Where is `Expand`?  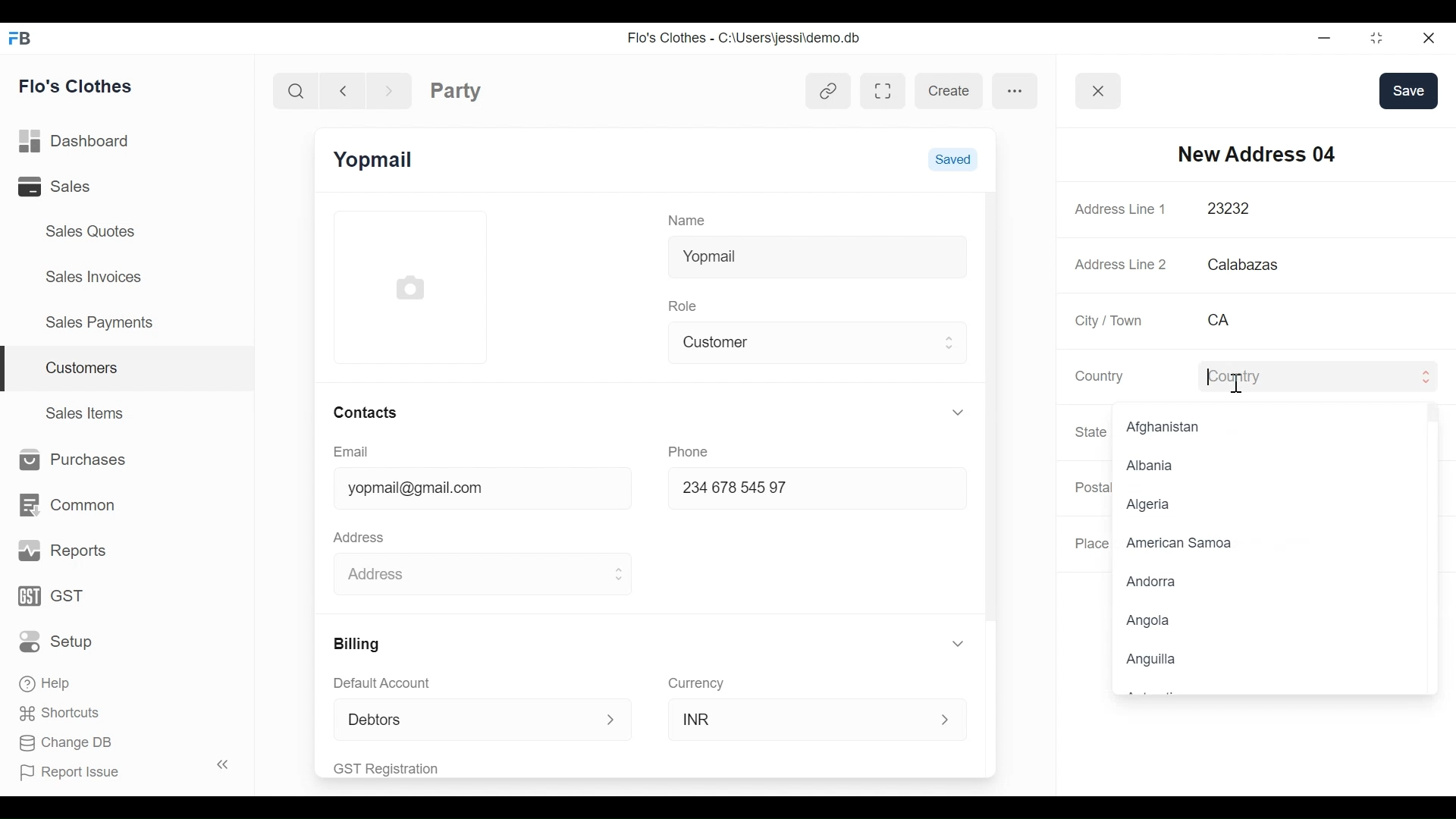
Expand is located at coordinates (951, 342).